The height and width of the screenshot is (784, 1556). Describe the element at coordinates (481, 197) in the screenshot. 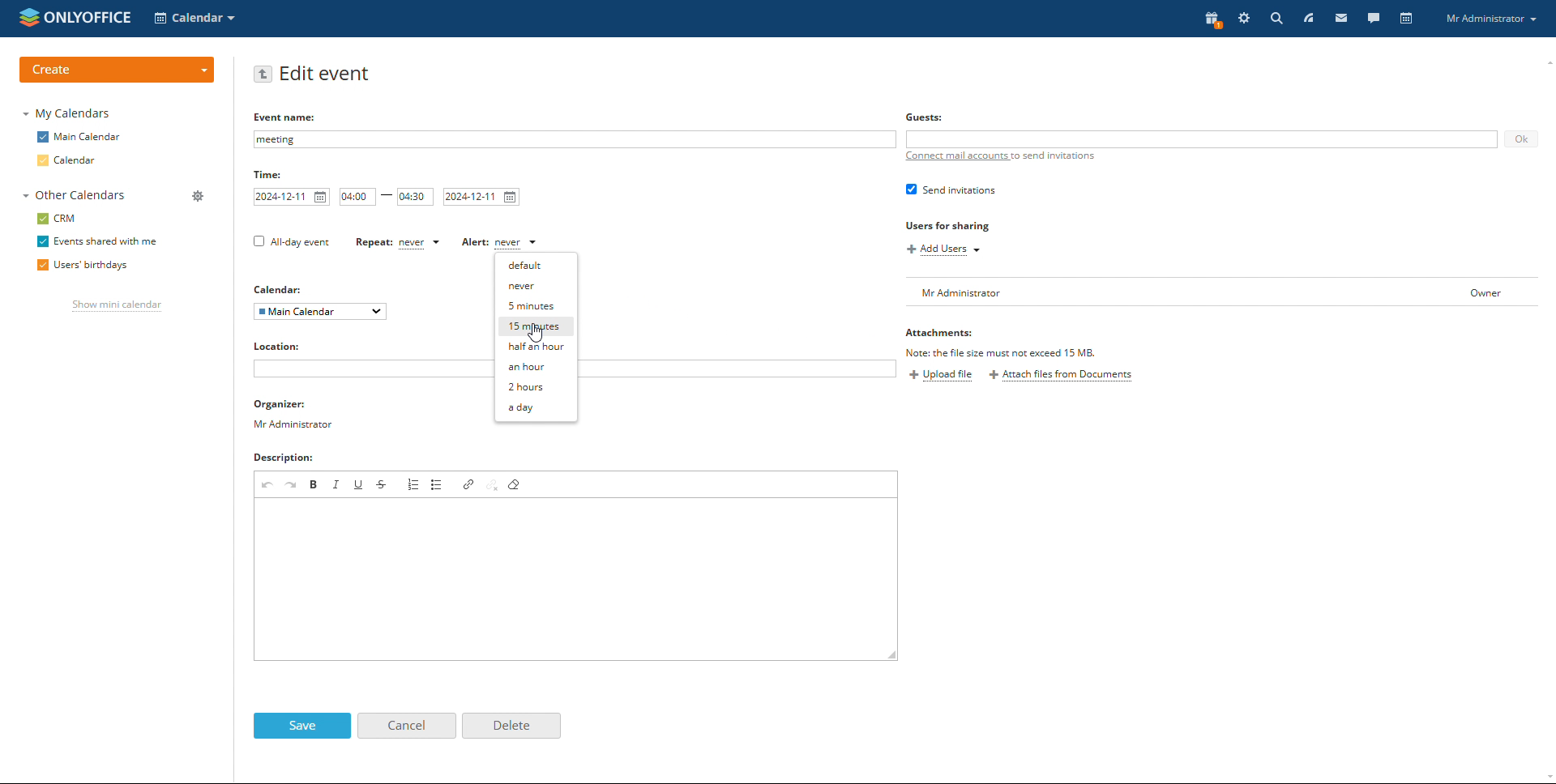

I see `end date` at that location.